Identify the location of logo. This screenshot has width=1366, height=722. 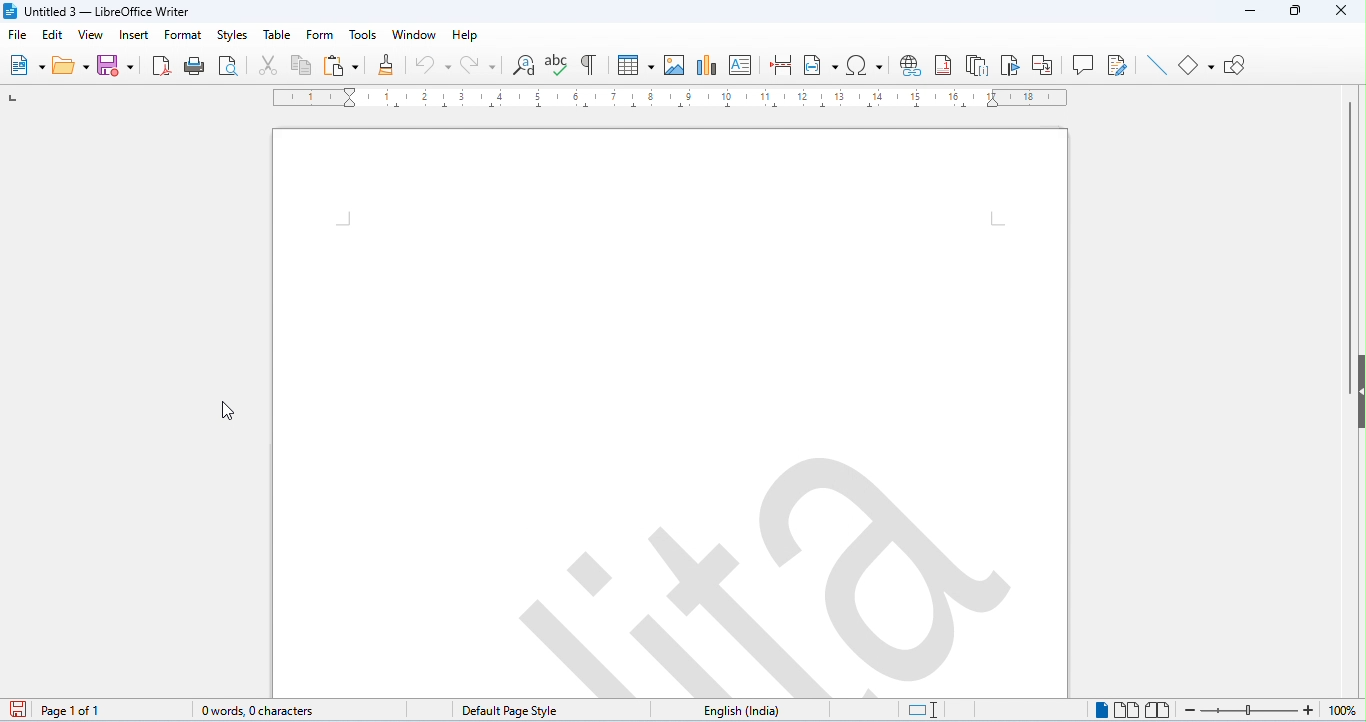
(10, 11).